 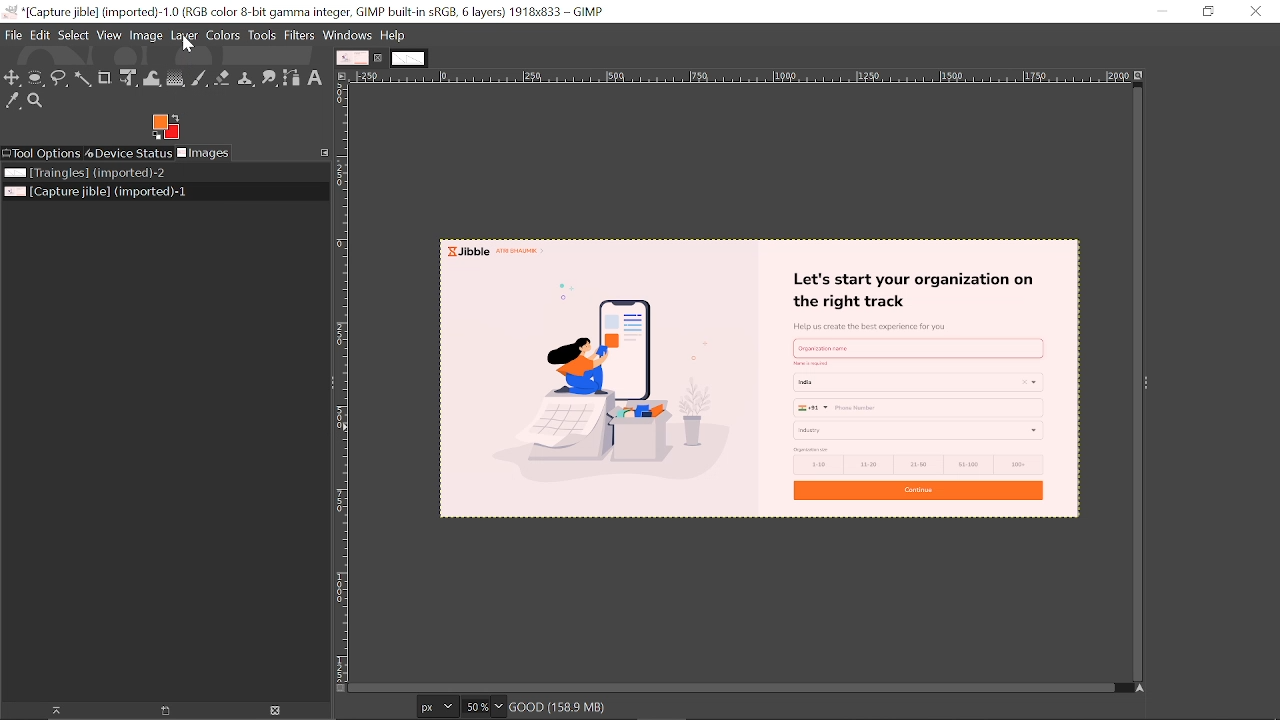 What do you see at coordinates (36, 79) in the screenshot?
I see `Ellipse select tool` at bounding box center [36, 79].